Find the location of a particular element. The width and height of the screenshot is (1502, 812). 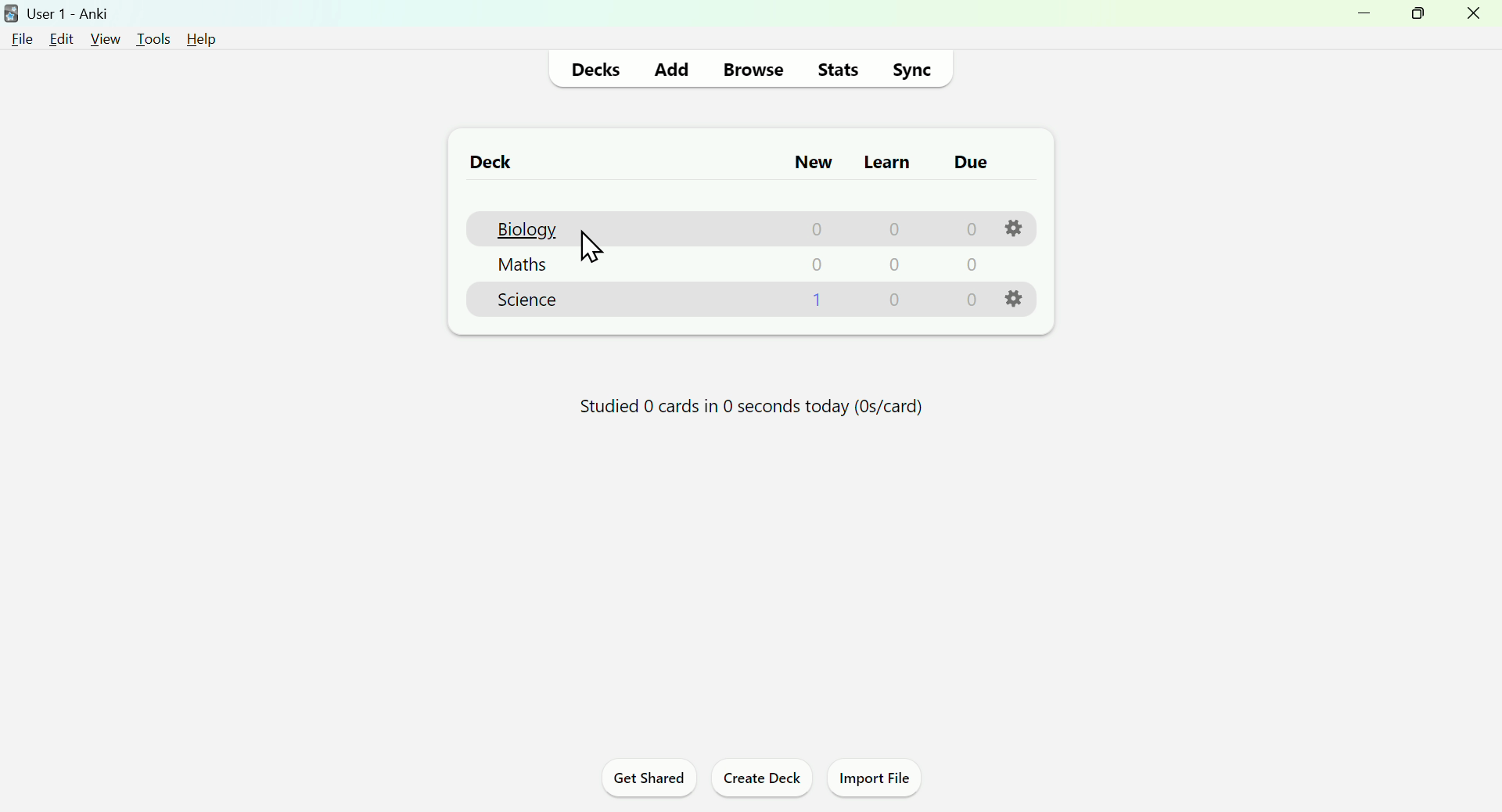

Deck is located at coordinates (490, 164).